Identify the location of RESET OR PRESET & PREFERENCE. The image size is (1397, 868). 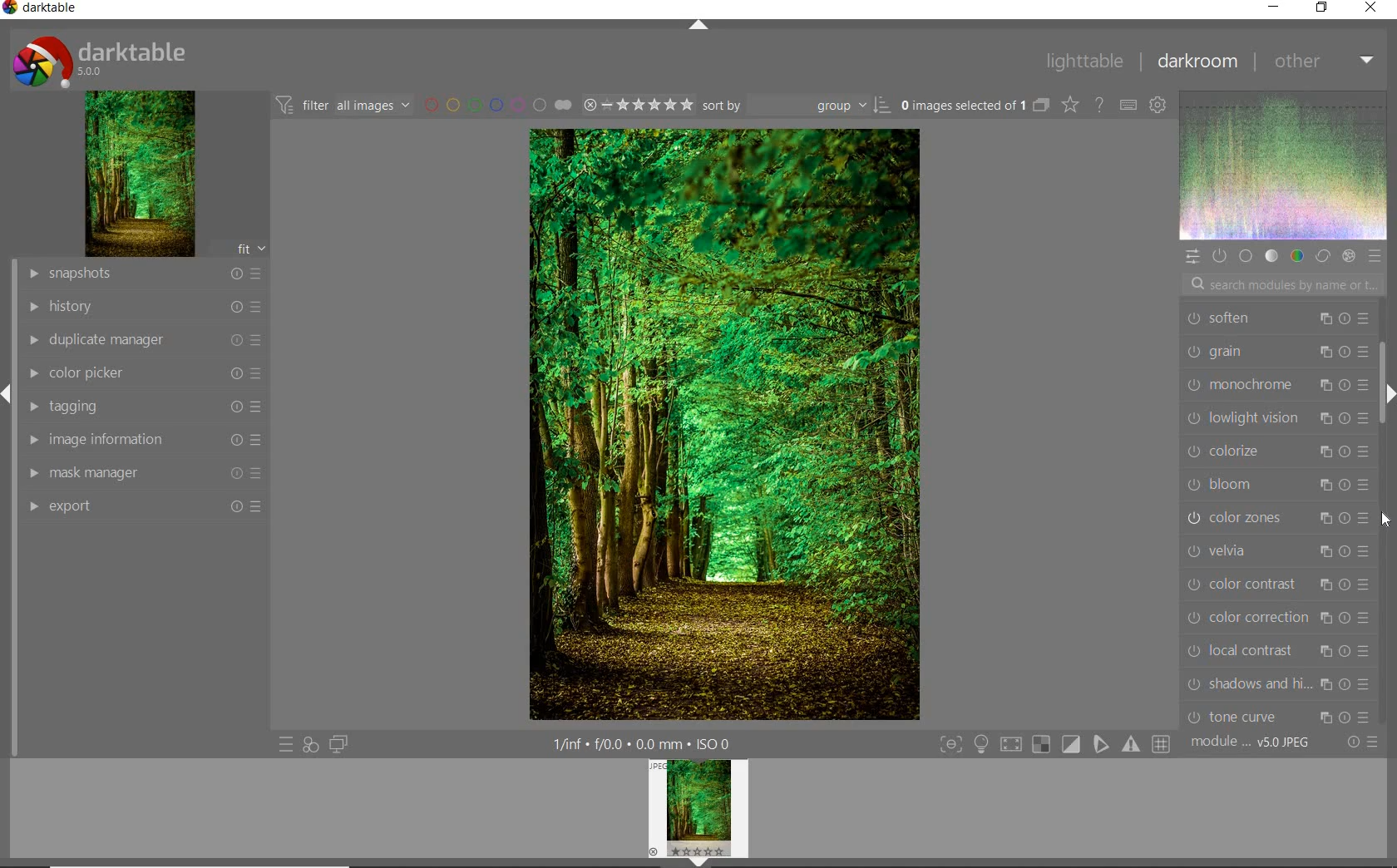
(1363, 742).